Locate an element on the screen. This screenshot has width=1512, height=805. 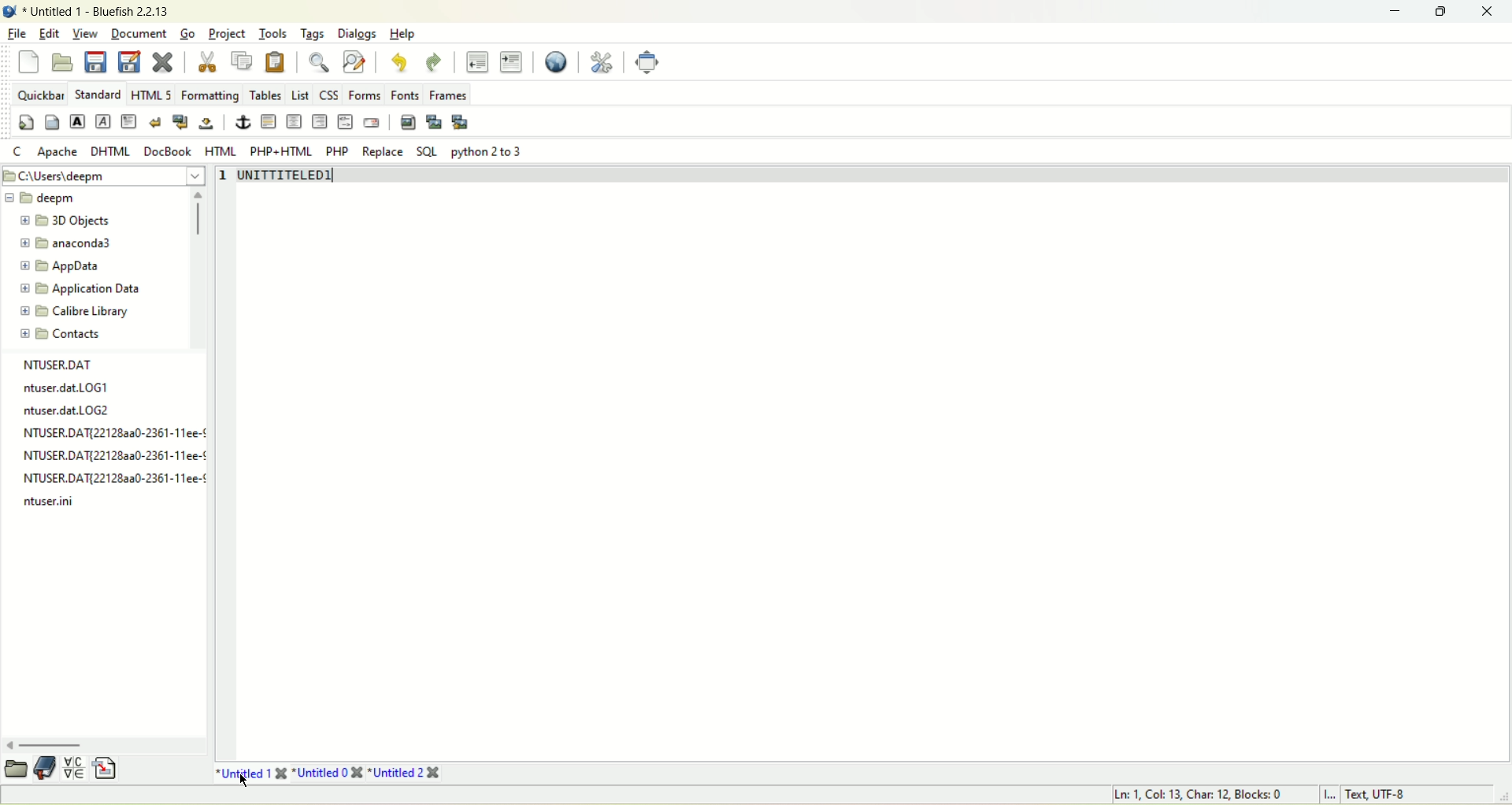
DocBook is located at coordinates (166, 150).